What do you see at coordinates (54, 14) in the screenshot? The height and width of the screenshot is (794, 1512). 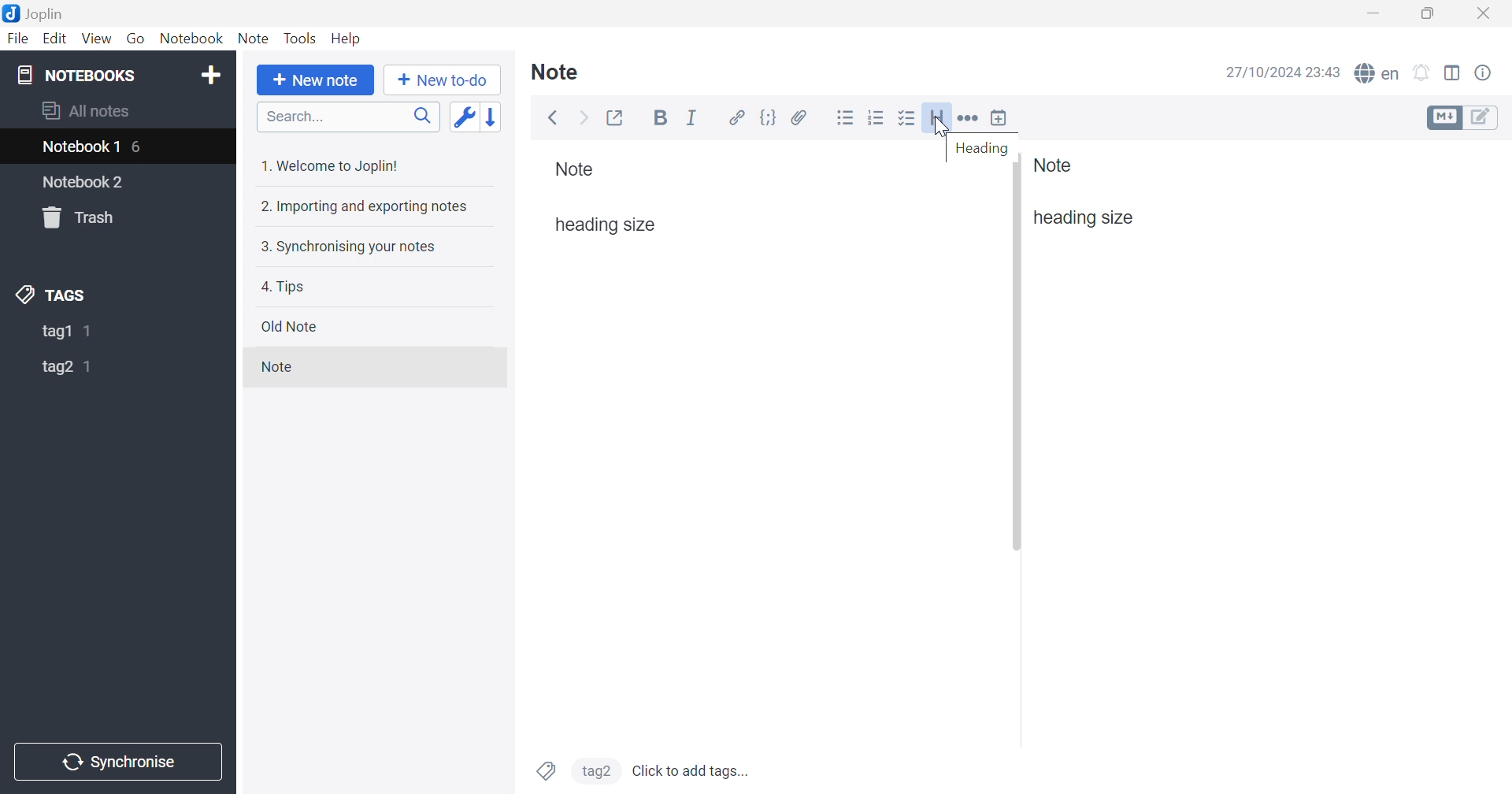 I see `jolplin ` at bounding box center [54, 14].